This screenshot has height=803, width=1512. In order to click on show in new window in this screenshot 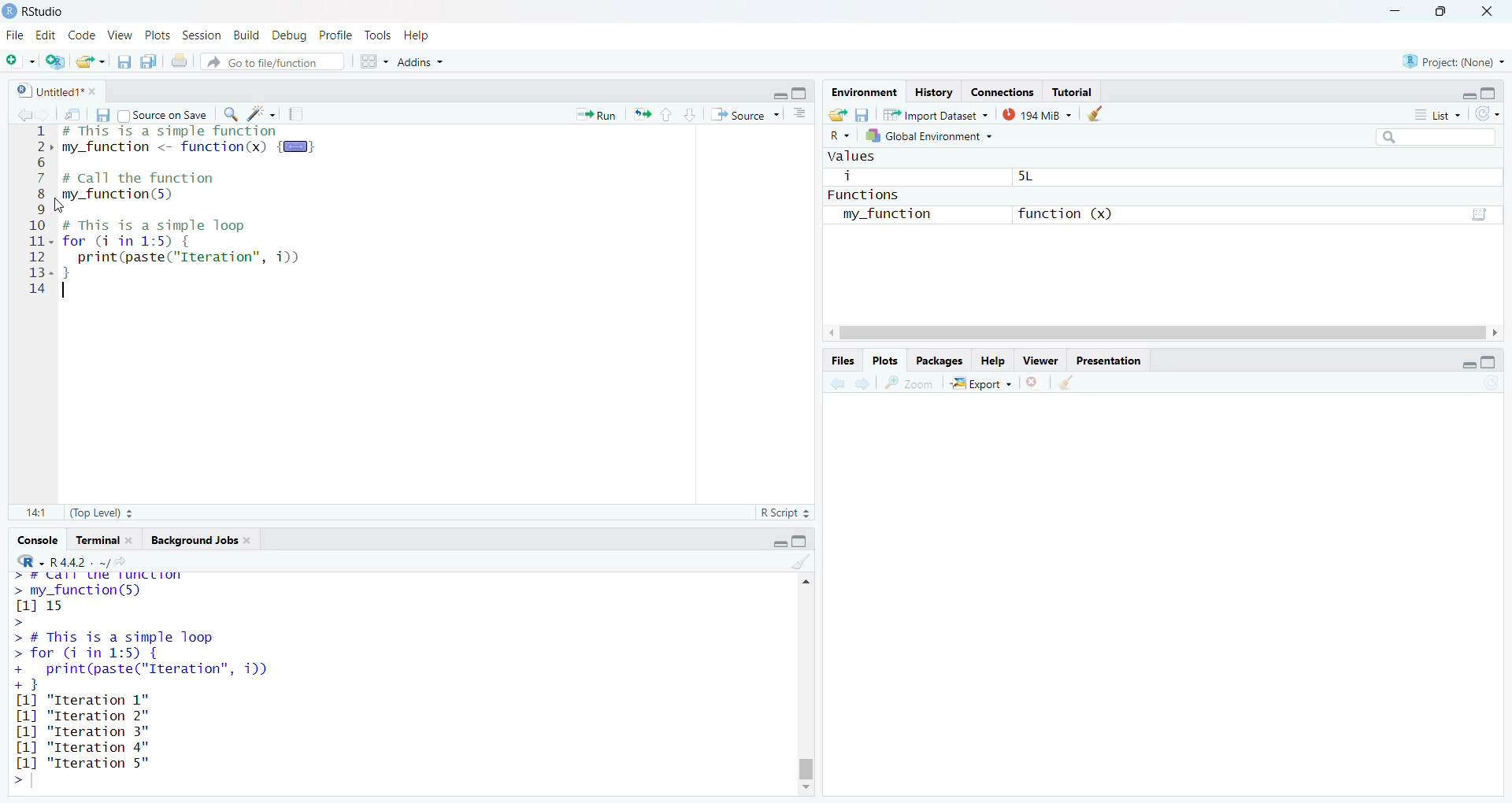, I will do `click(74, 113)`.